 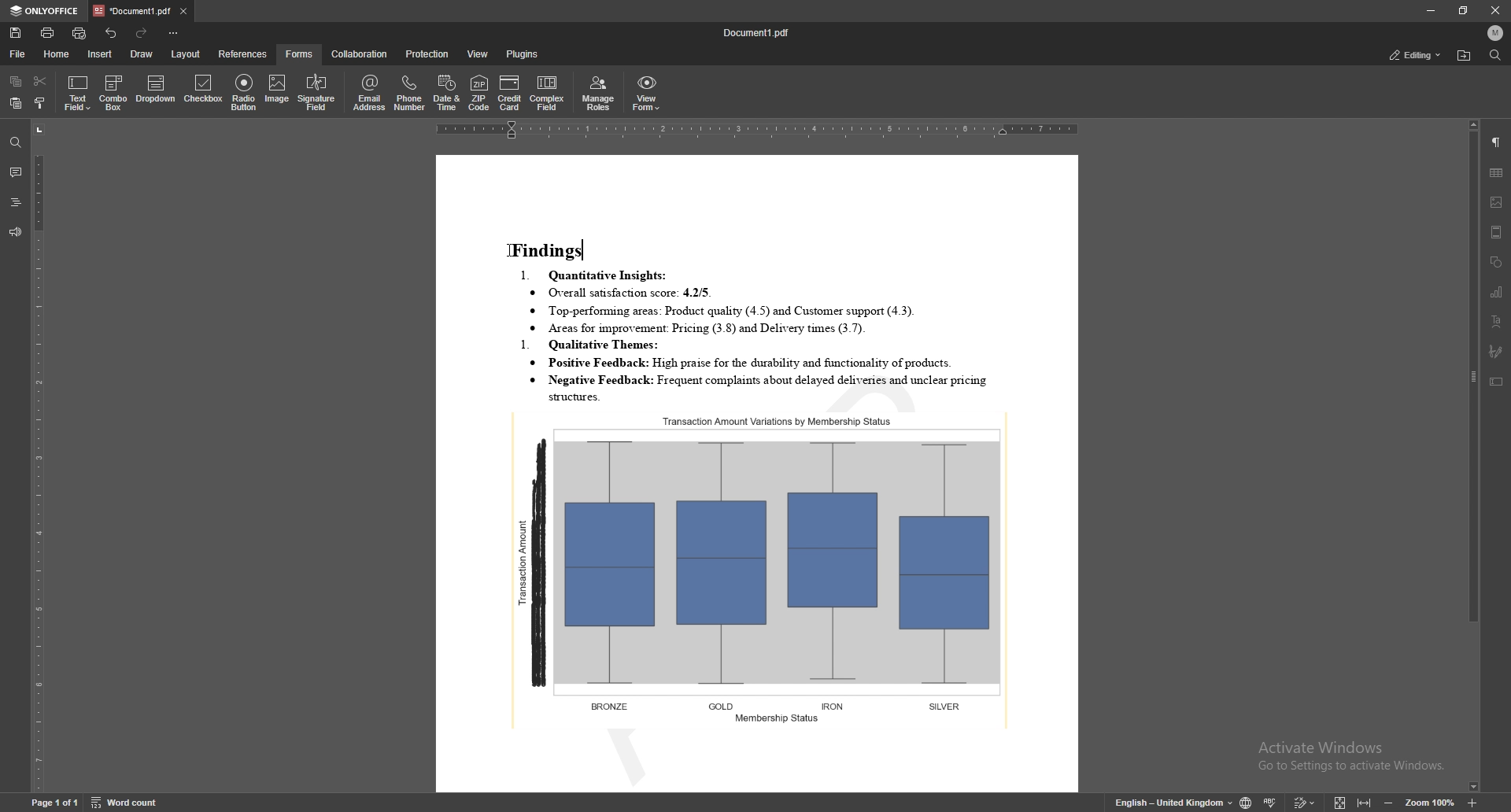 I want to click on chart, so click(x=1497, y=292).